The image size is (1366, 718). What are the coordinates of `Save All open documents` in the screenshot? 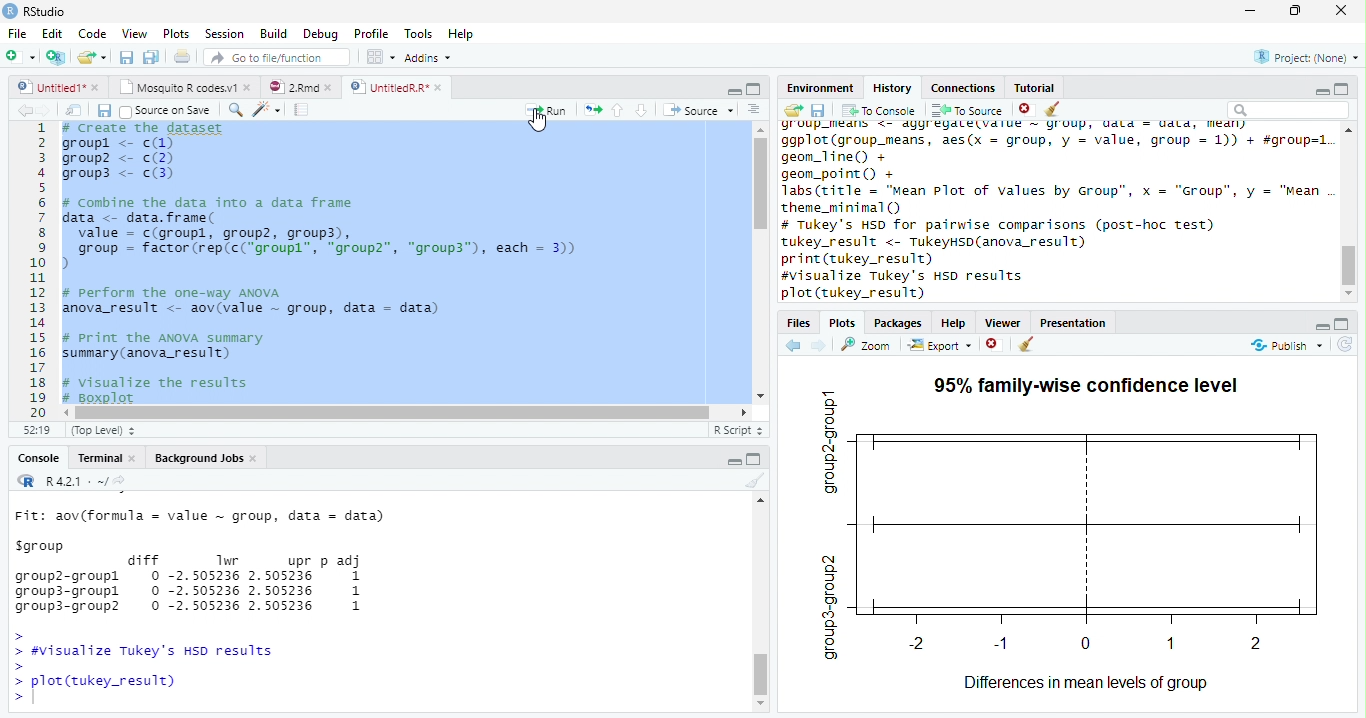 It's located at (150, 57).